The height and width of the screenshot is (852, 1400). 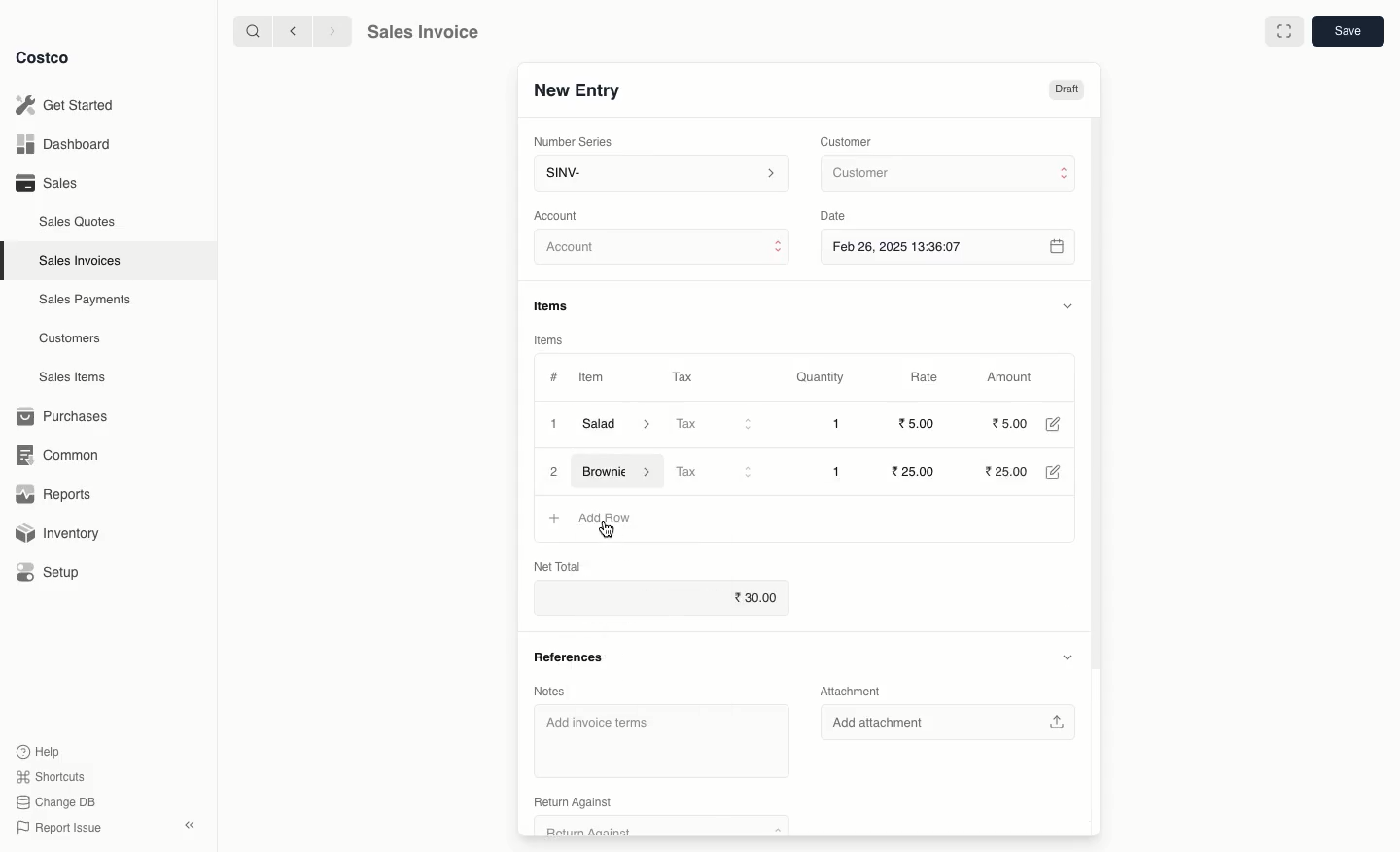 What do you see at coordinates (714, 425) in the screenshot?
I see `Tax` at bounding box center [714, 425].